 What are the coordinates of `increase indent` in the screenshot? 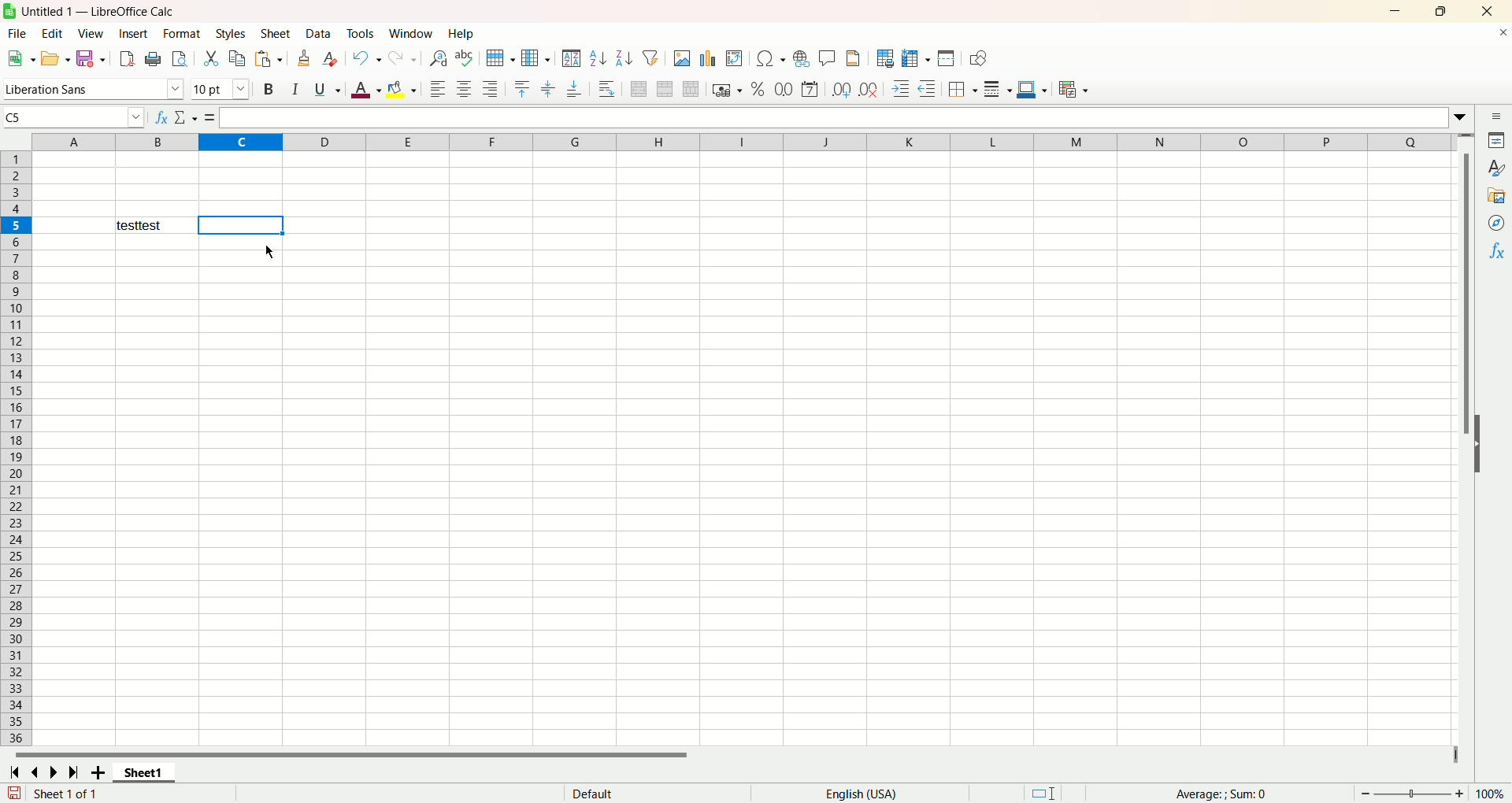 It's located at (899, 90).